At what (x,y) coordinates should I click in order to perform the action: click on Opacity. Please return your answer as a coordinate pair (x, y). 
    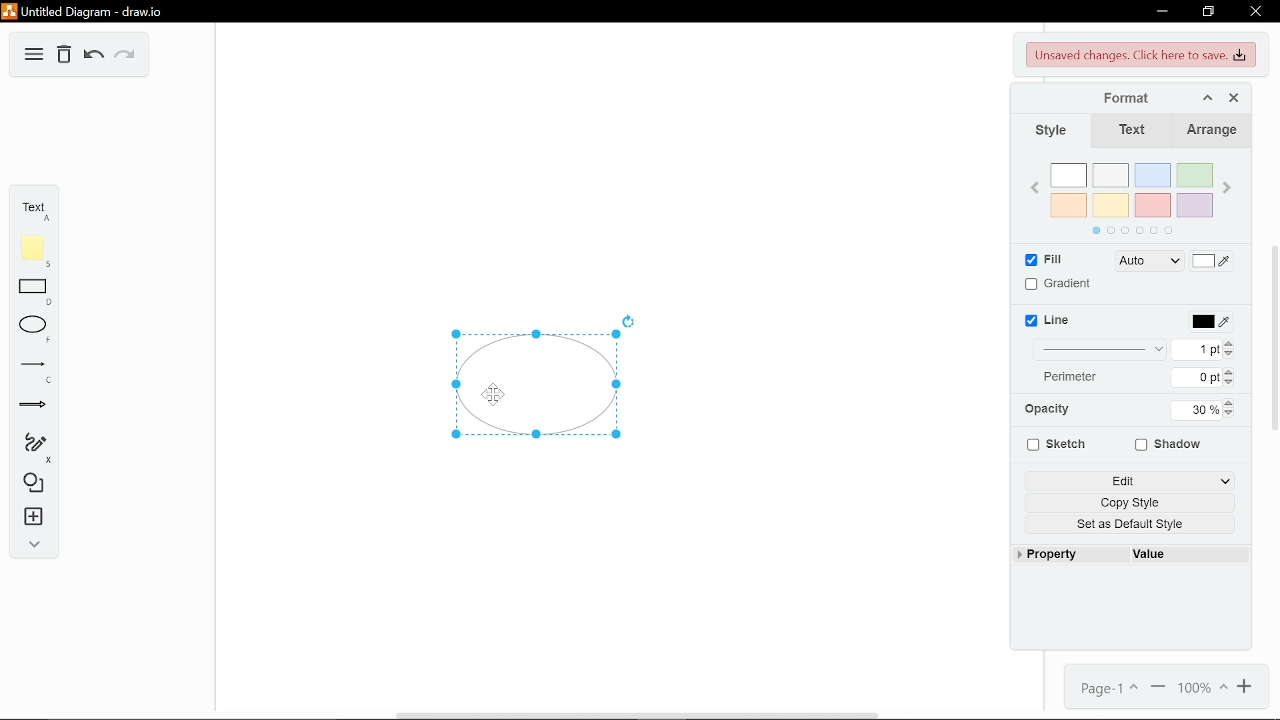
    Looking at the image, I should click on (1047, 409).